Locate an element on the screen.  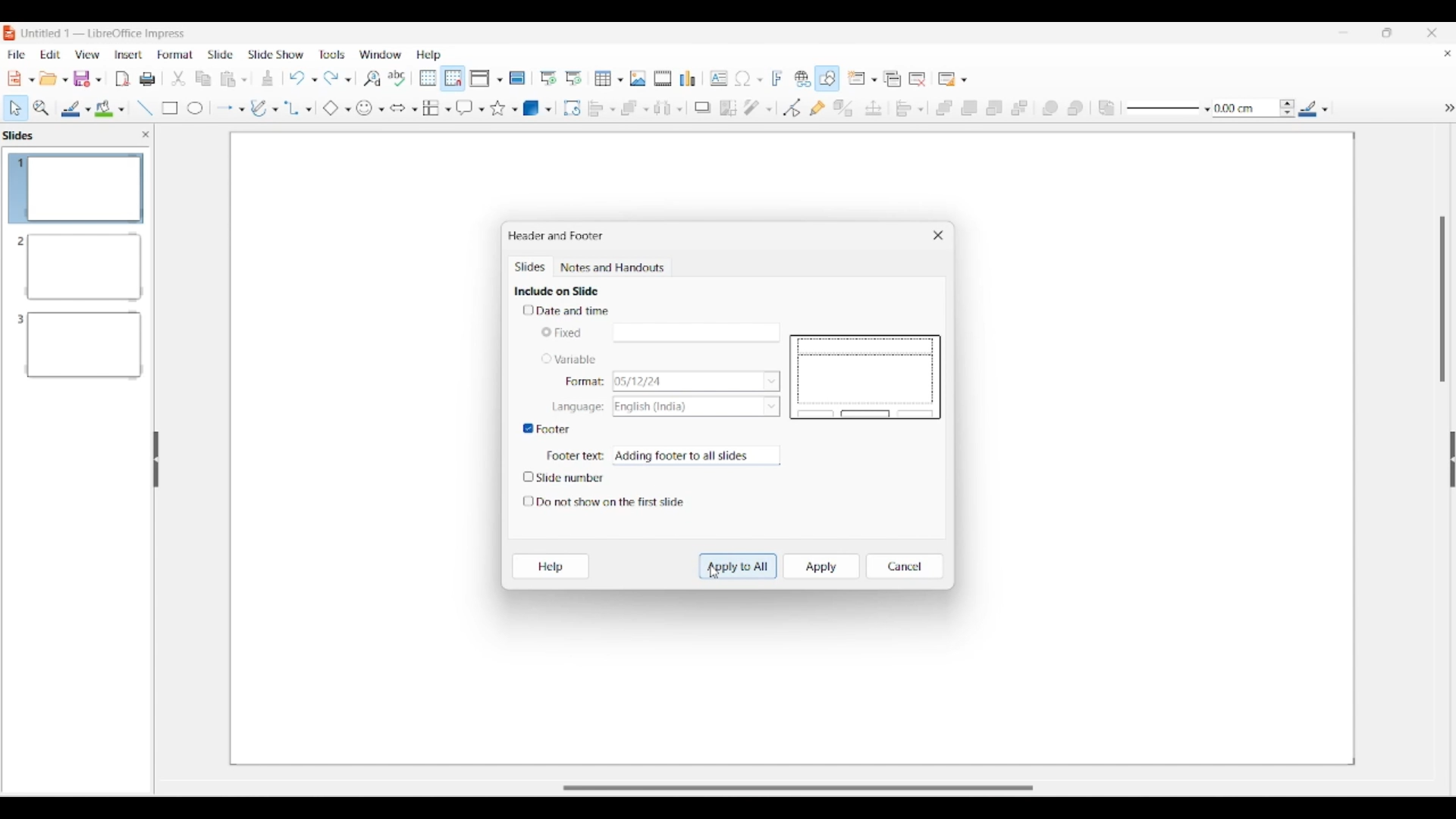
trim is located at coordinates (176, 77).